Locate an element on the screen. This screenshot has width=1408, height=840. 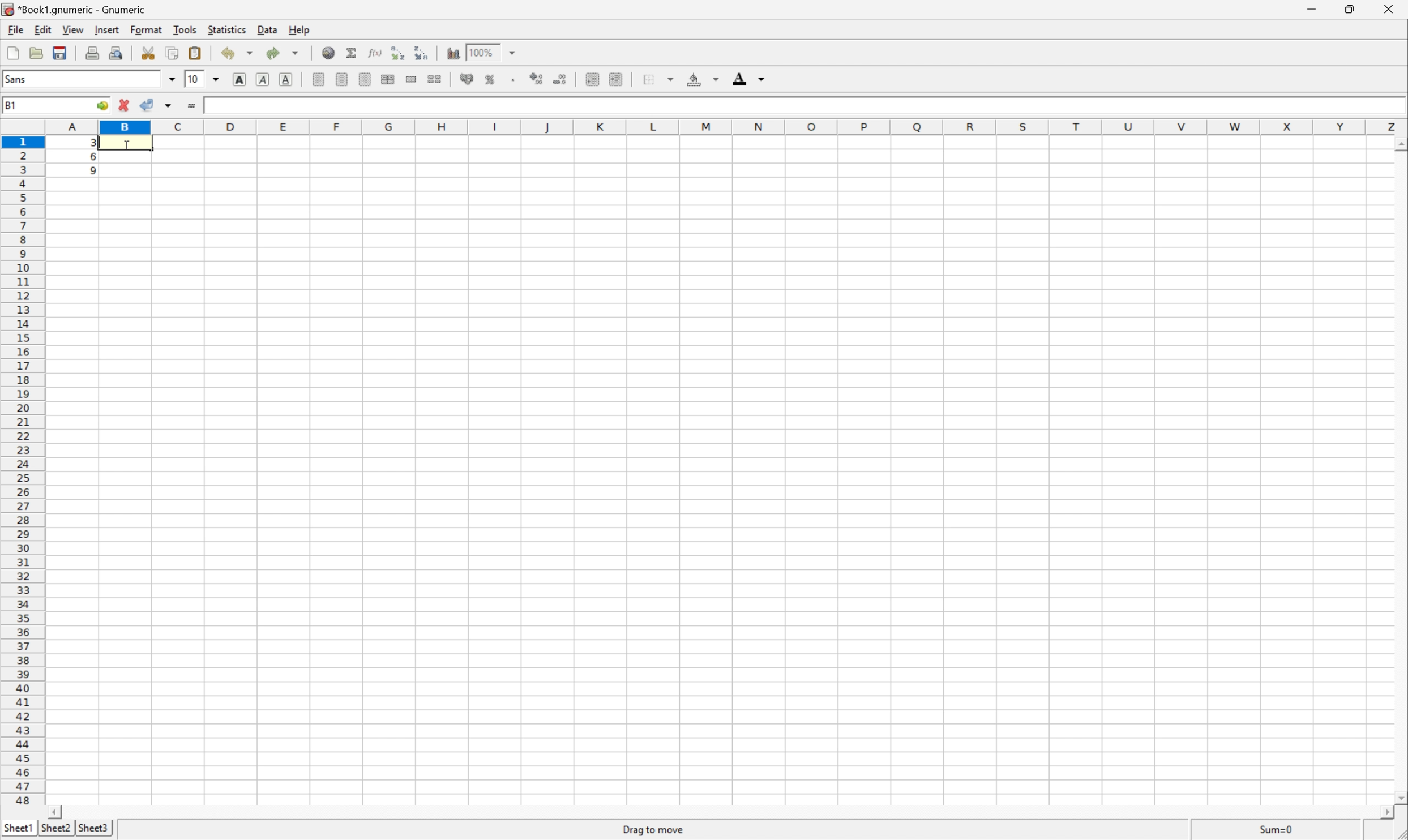
Row numbers is located at coordinates (22, 470).